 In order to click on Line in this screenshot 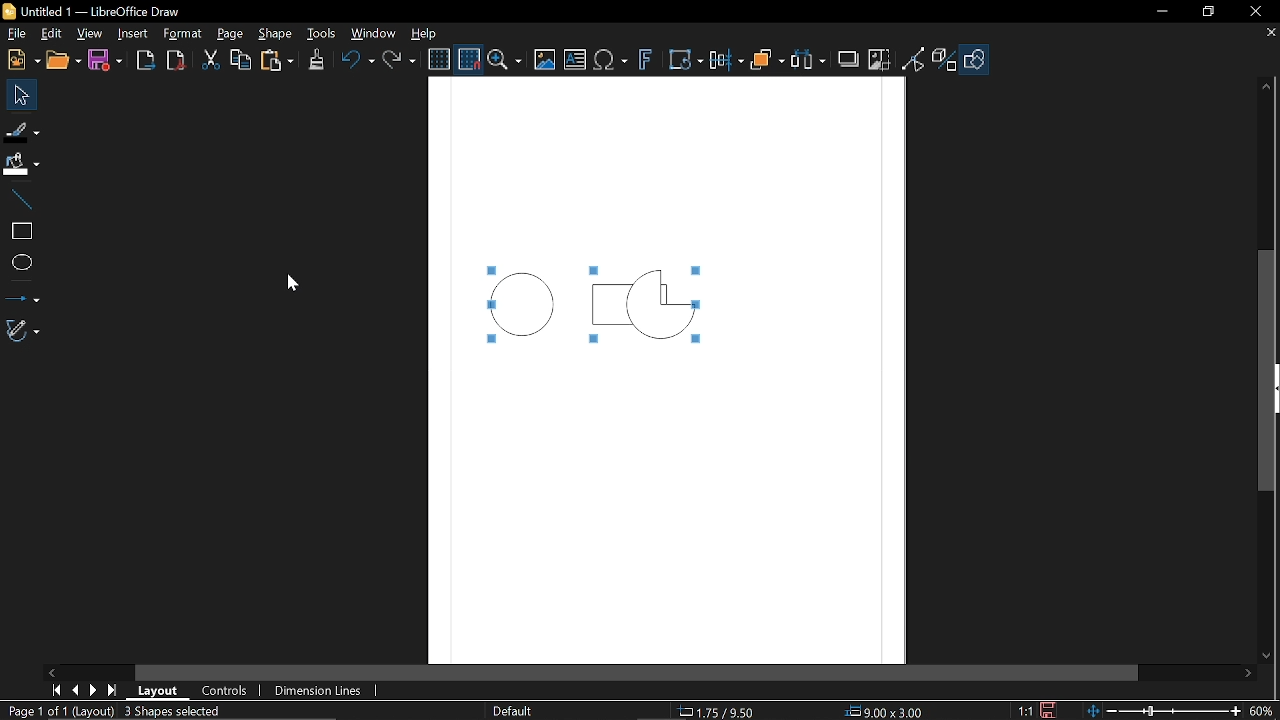, I will do `click(17, 194)`.